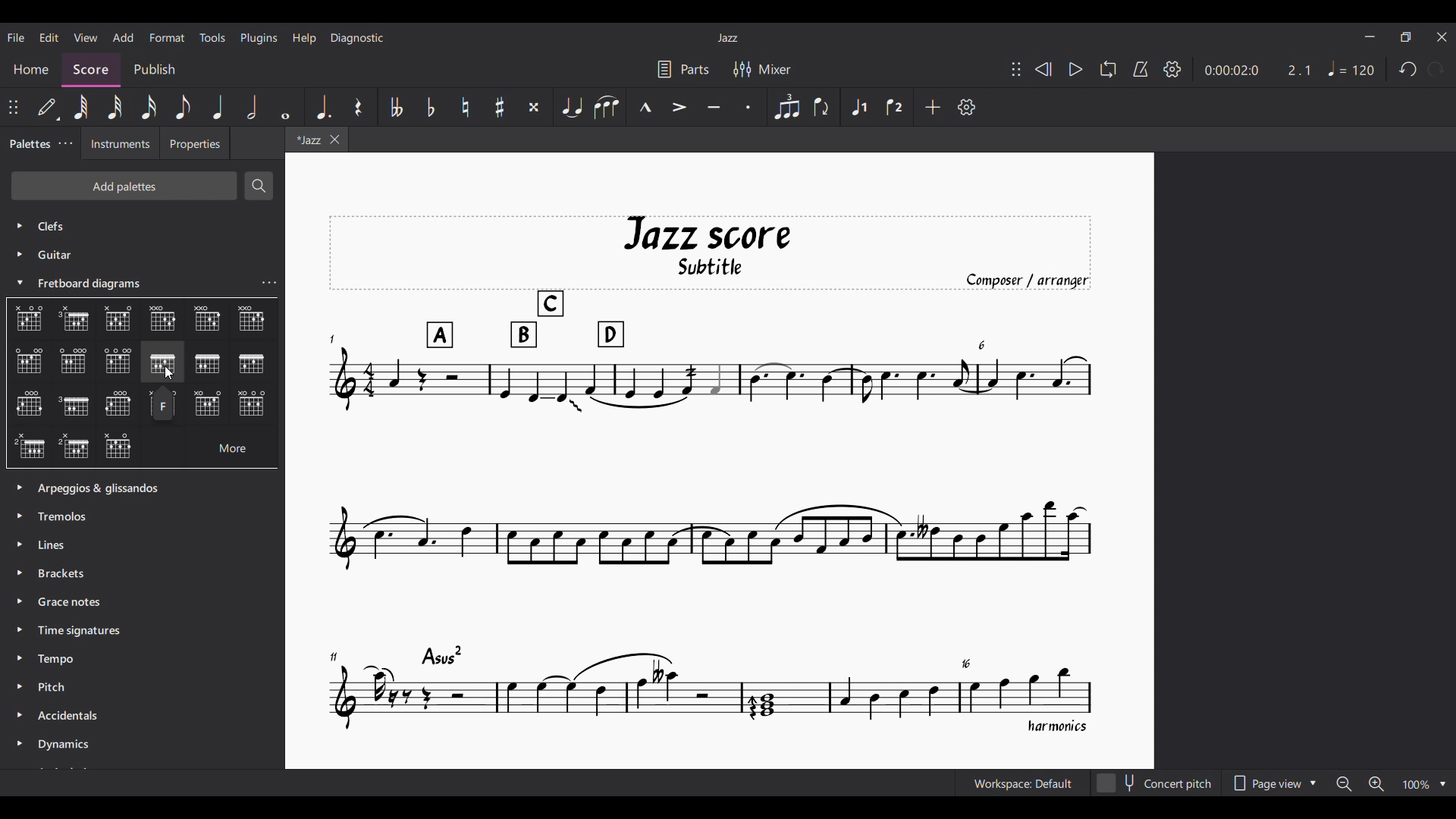 The width and height of the screenshot is (1456, 819). What do you see at coordinates (358, 107) in the screenshot?
I see `Rest` at bounding box center [358, 107].